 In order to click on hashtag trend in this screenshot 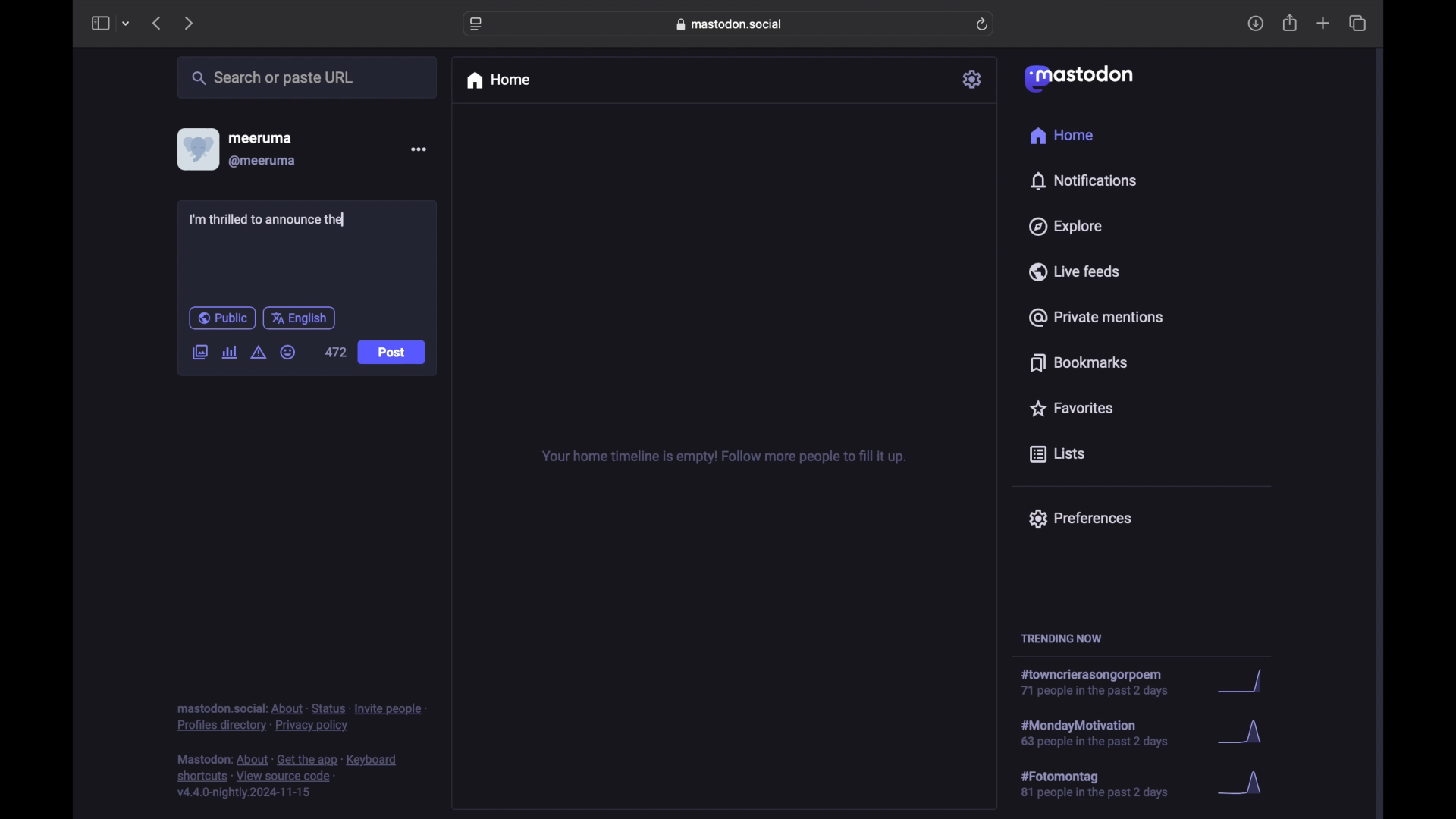, I will do `click(1100, 682)`.